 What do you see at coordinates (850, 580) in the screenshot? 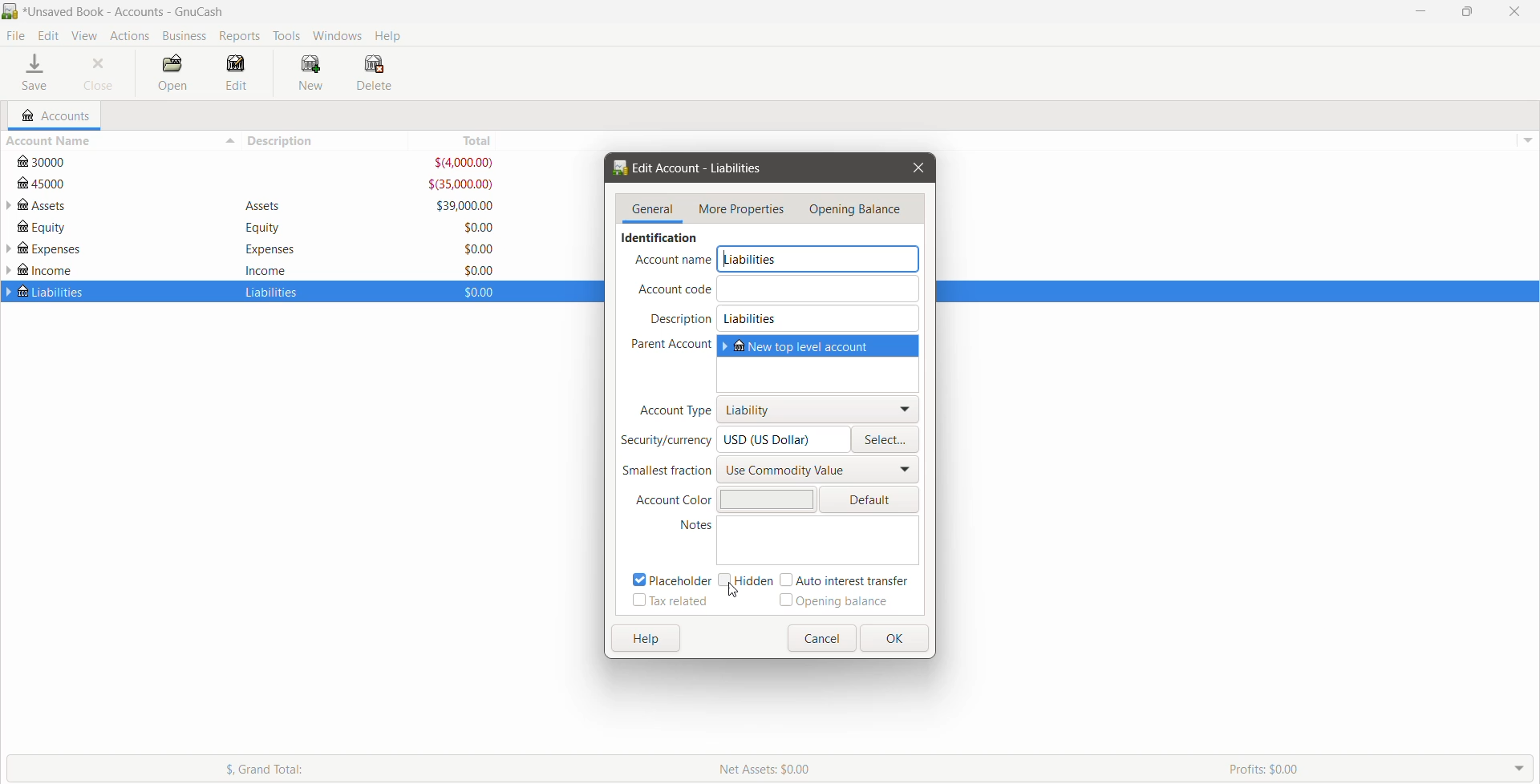
I see `Auto interest transfer - click to enable/disable` at bounding box center [850, 580].